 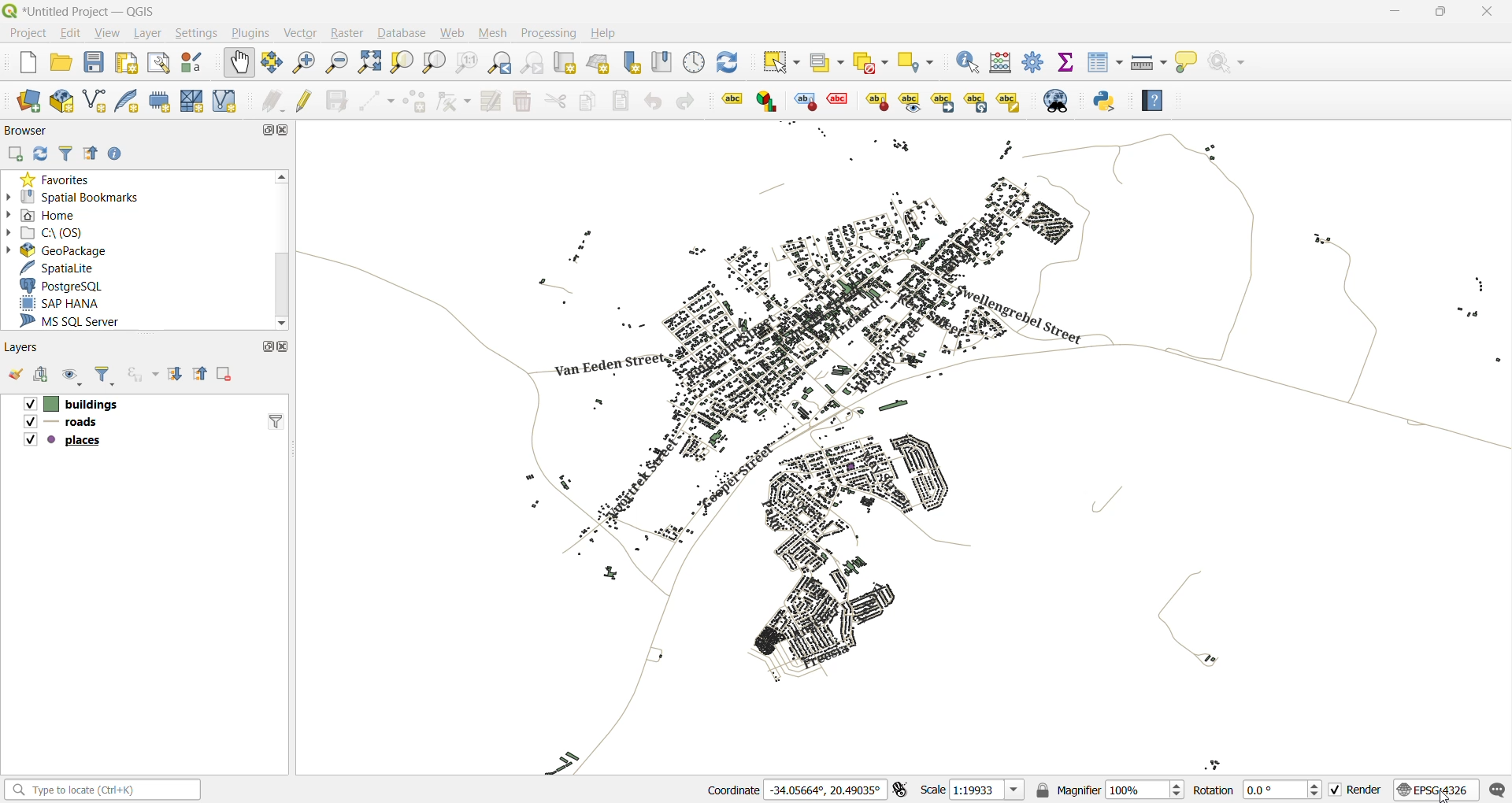 What do you see at coordinates (226, 375) in the screenshot?
I see `remove` at bounding box center [226, 375].